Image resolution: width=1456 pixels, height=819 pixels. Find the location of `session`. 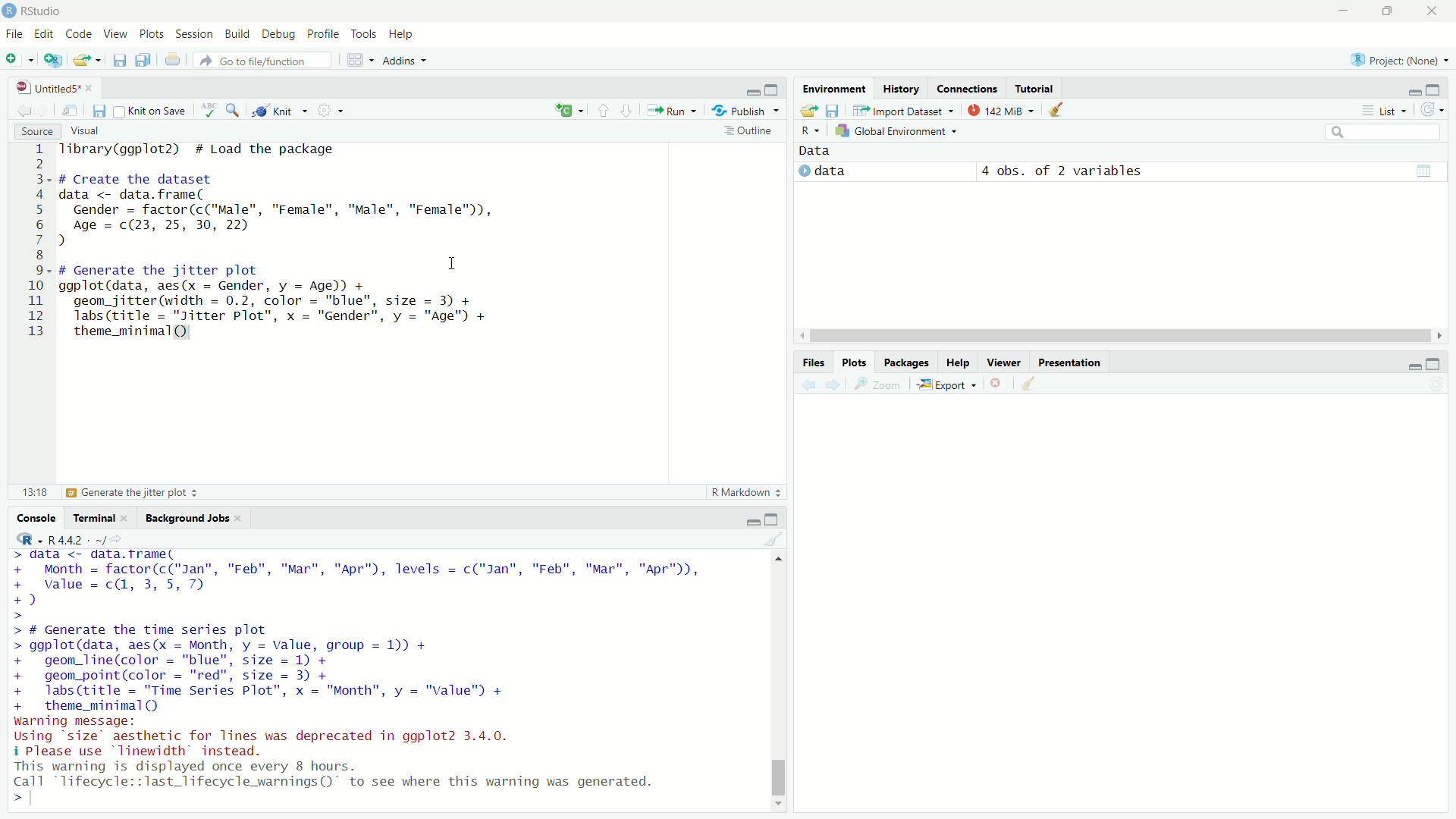

session is located at coordinates (193, 33).